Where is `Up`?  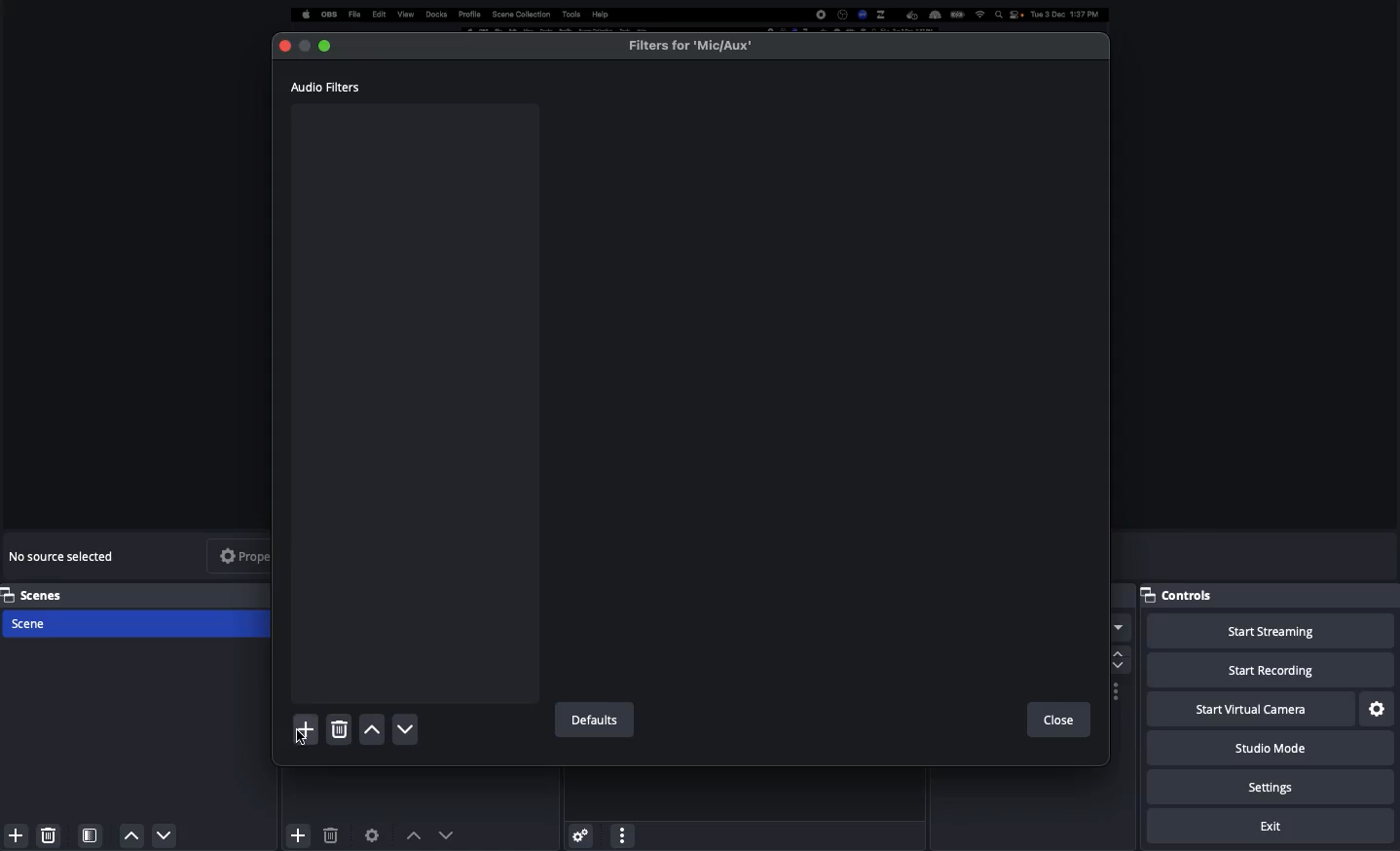
Up is located at coordinates (132, 835).